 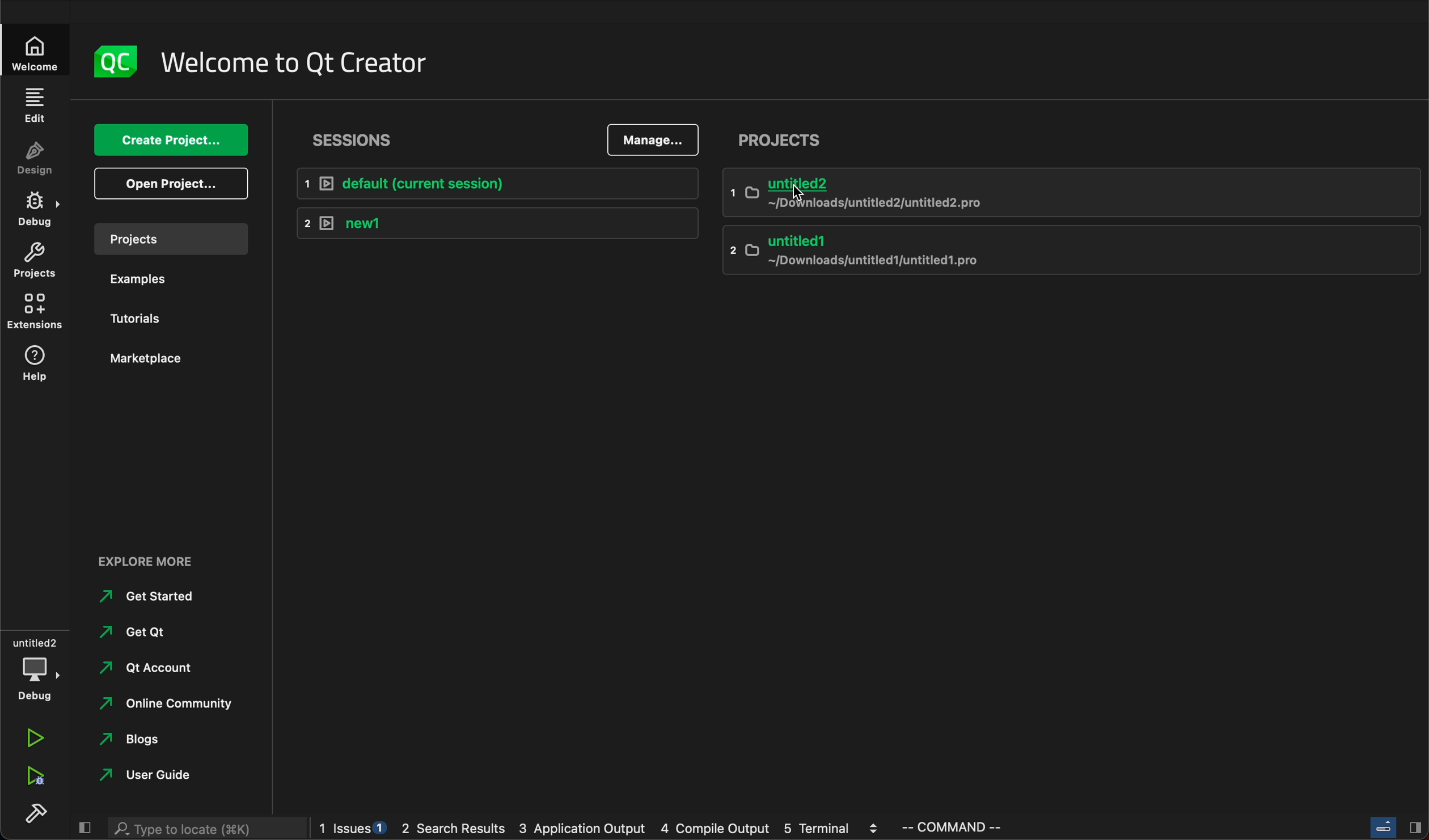 What do you see at coordinates (1068, 252) in the screenshot?
I see `untitled1` at bounding box center [1068, 252].